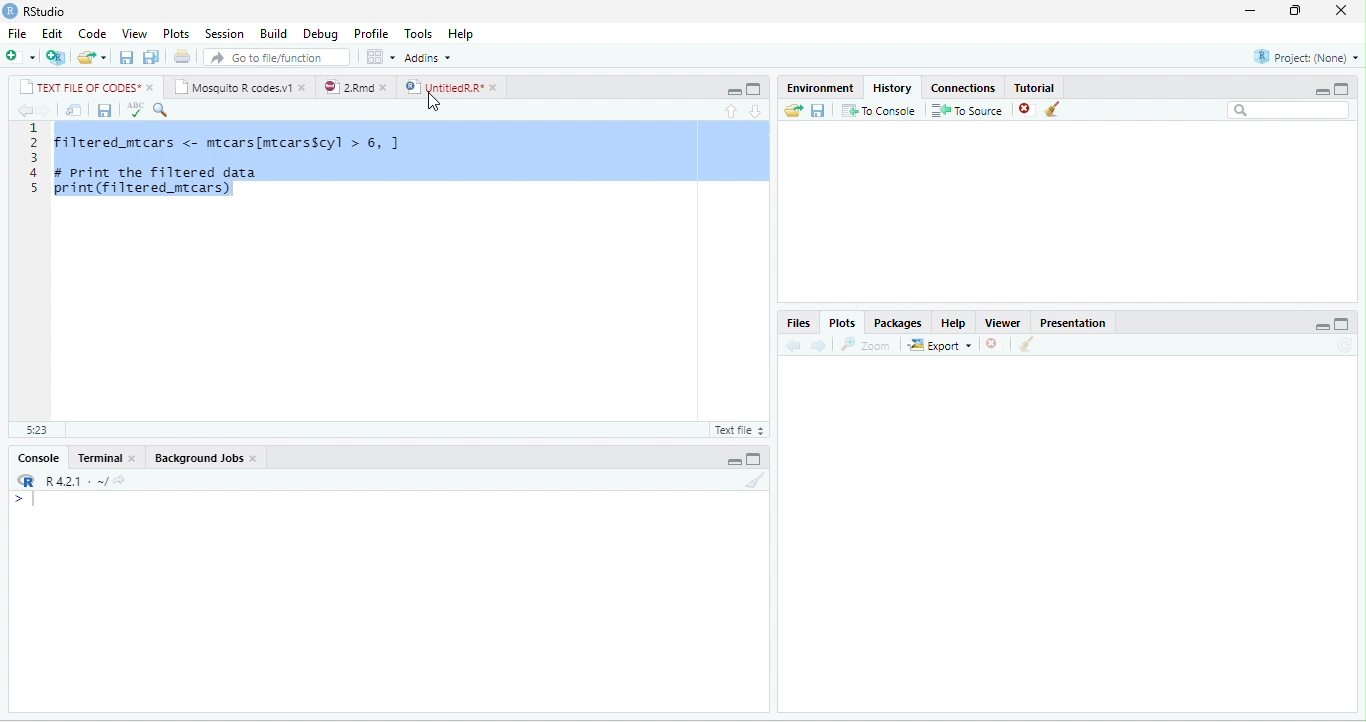 This screenshot has width=1366, height=722. What do you see at coordinates (953, 323) in the screenshot?
I see `Help` at bounding box center [953, 323].